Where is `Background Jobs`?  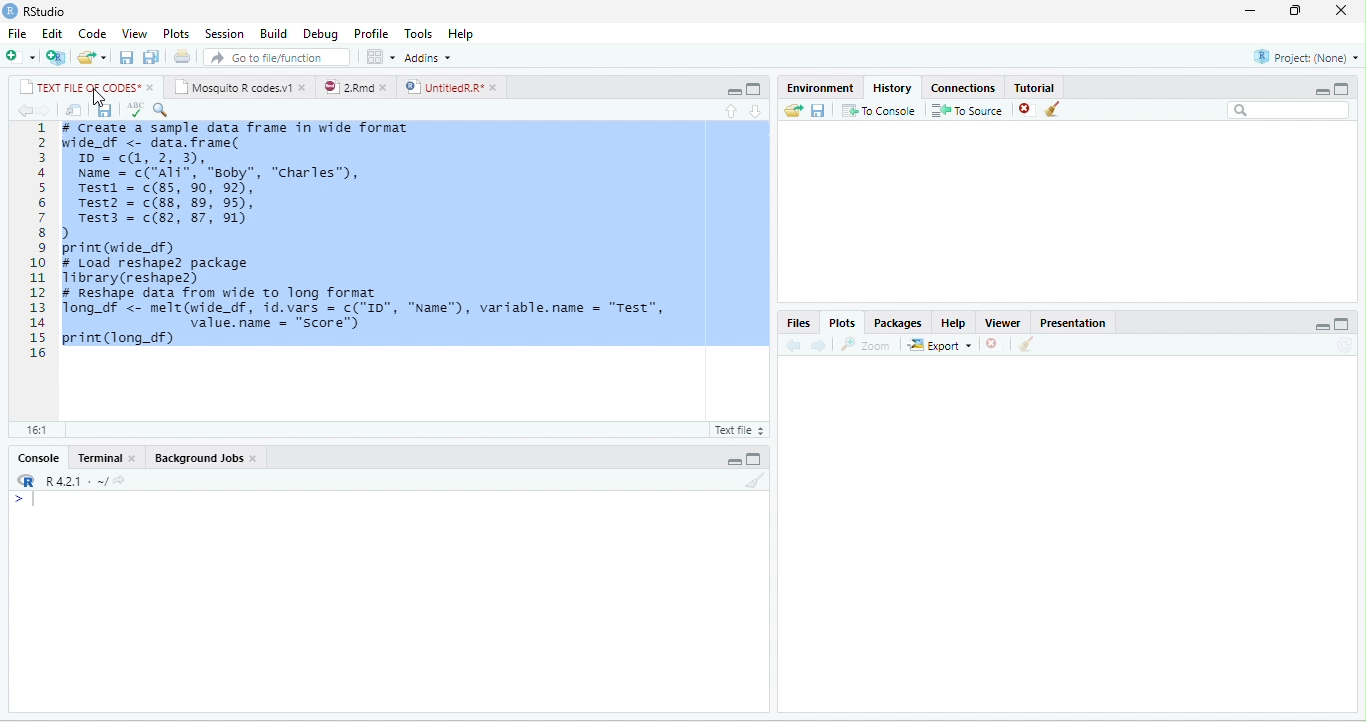
Background Jobs is located at coordinates (197, 457).